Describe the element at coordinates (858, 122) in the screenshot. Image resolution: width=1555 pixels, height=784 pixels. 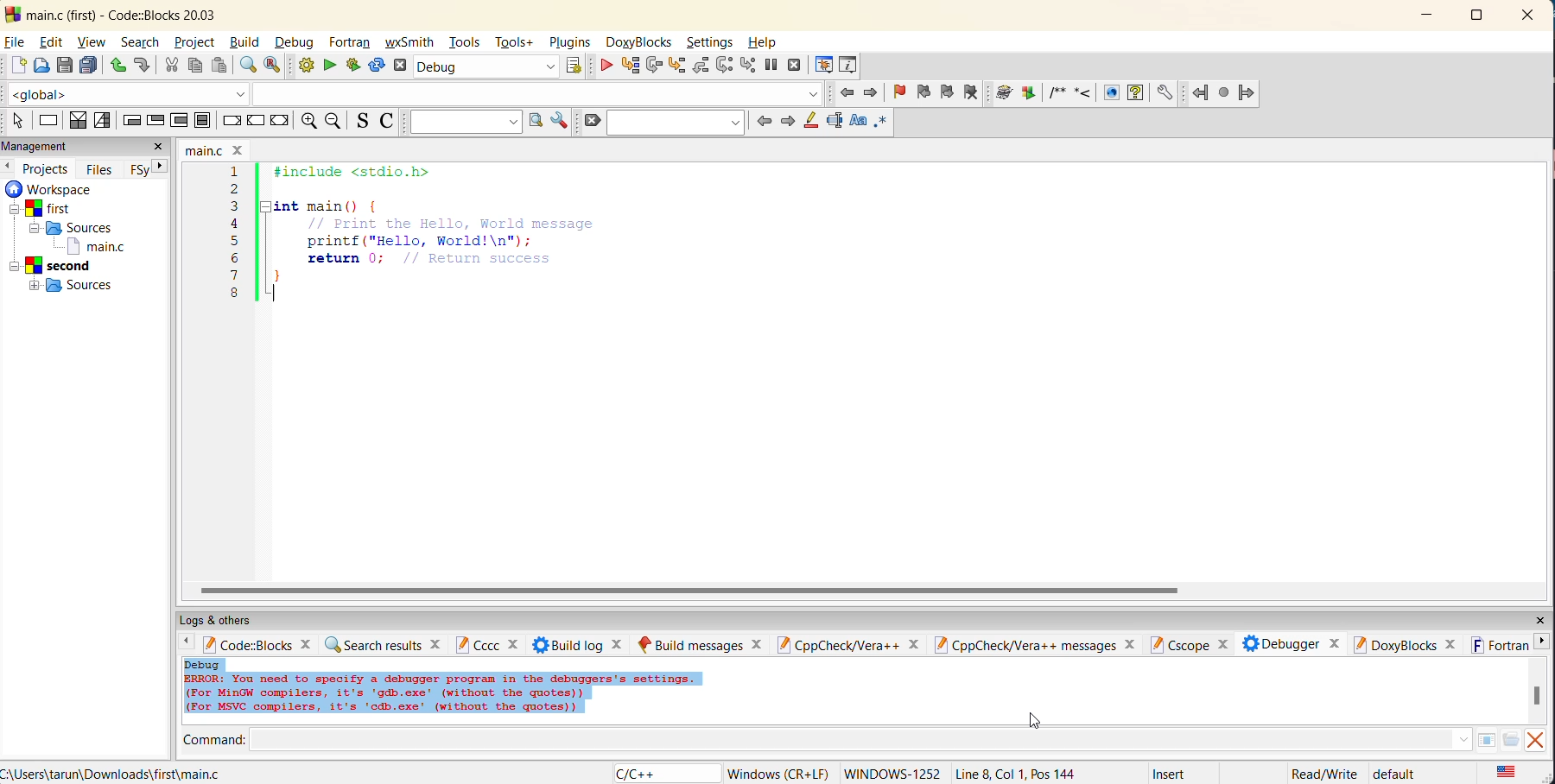
I see `match case` at that location.